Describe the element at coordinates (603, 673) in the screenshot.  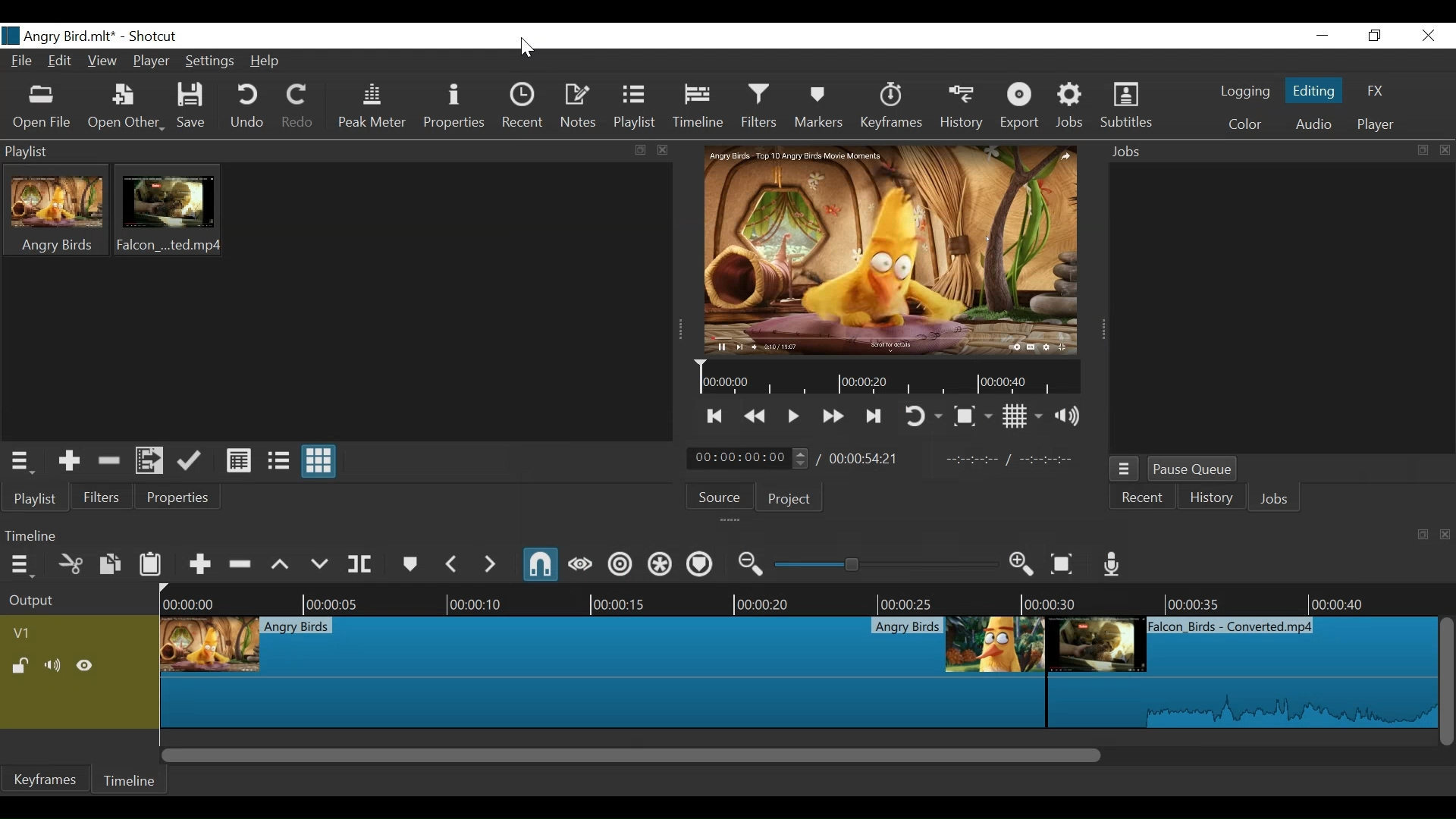
I see `Clip` at that location.